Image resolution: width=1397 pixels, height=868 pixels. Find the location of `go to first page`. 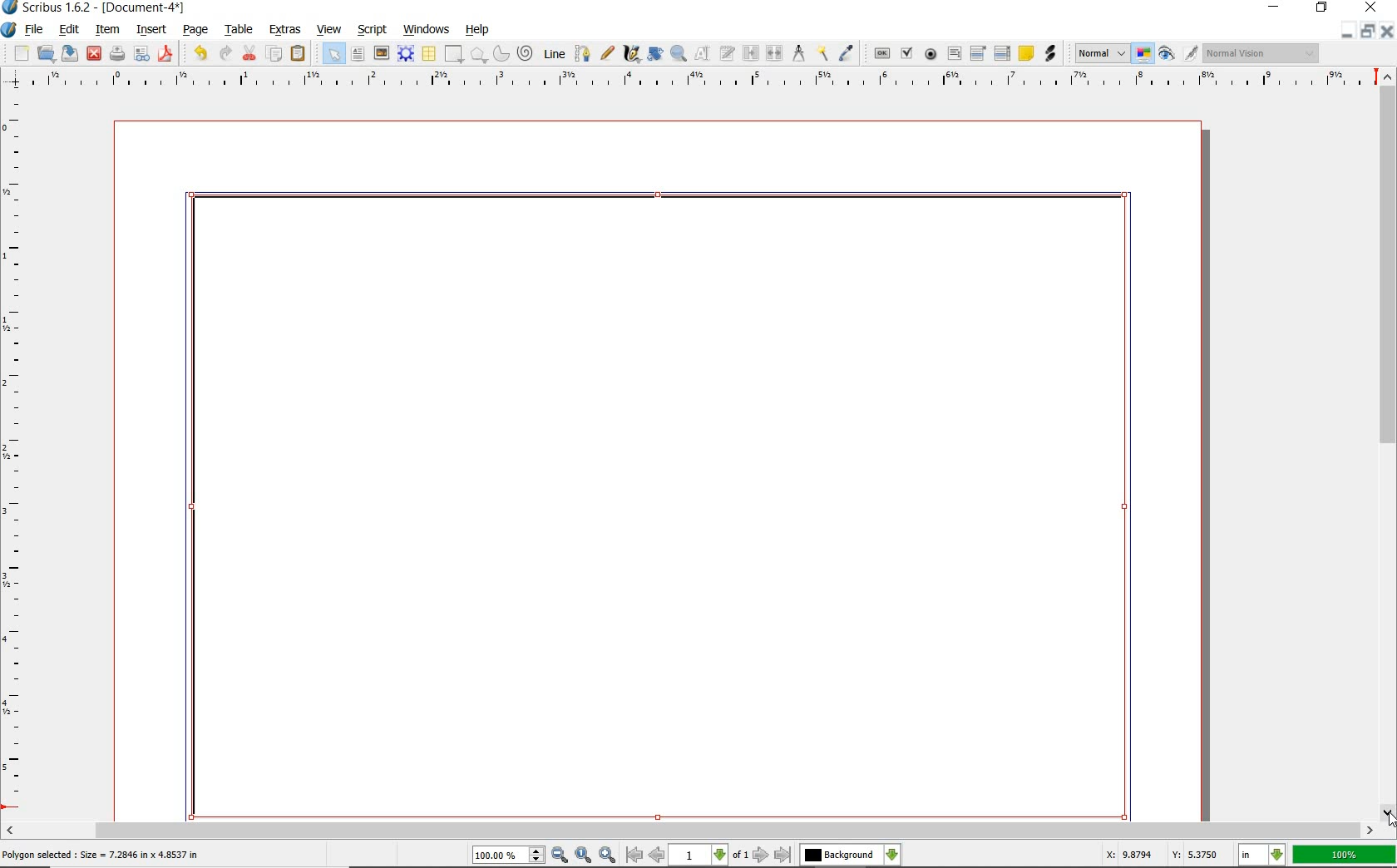

go to first page is located at coordinates (635, 856).